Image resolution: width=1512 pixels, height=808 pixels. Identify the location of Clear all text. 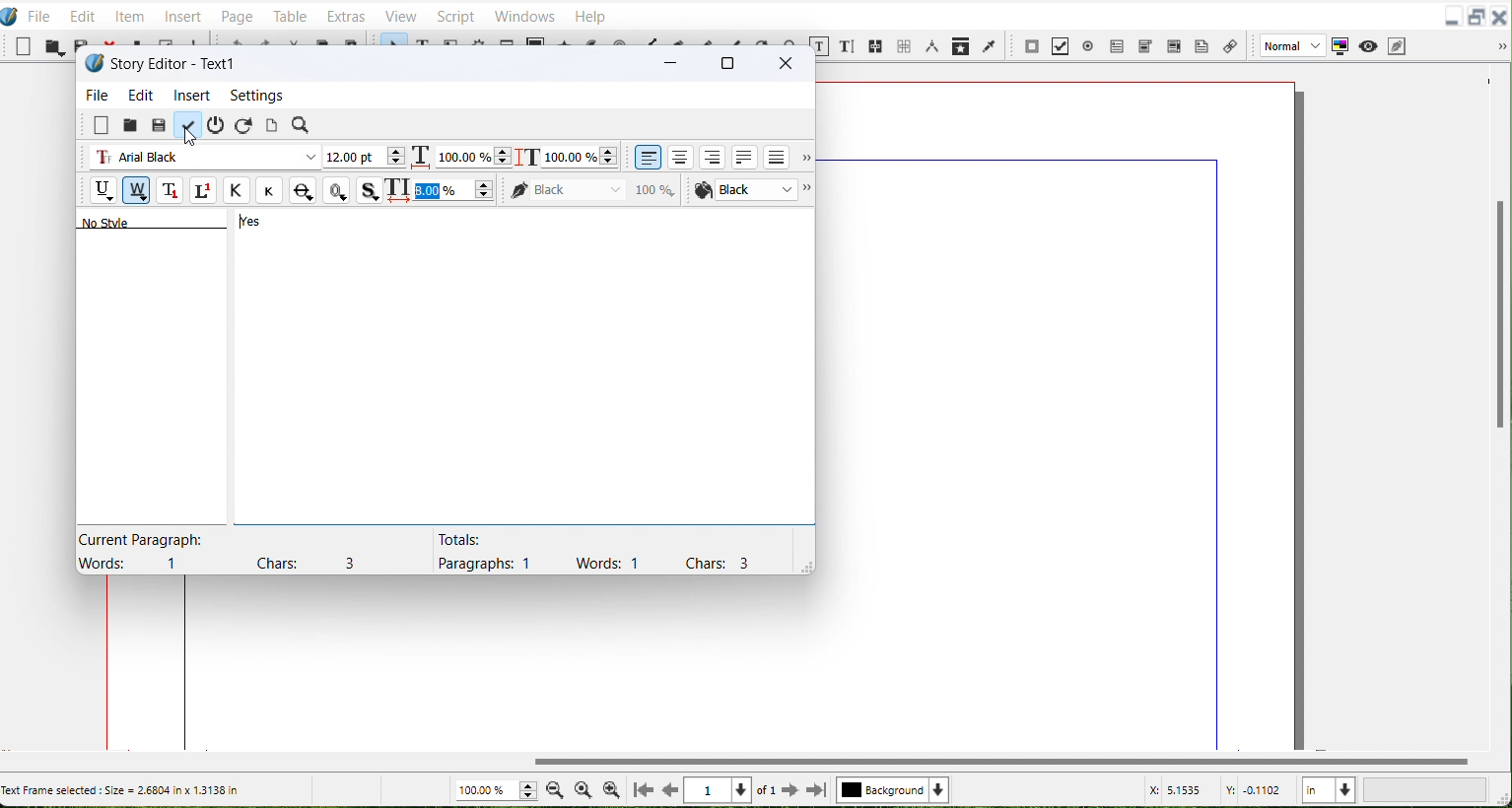
(102, 125).